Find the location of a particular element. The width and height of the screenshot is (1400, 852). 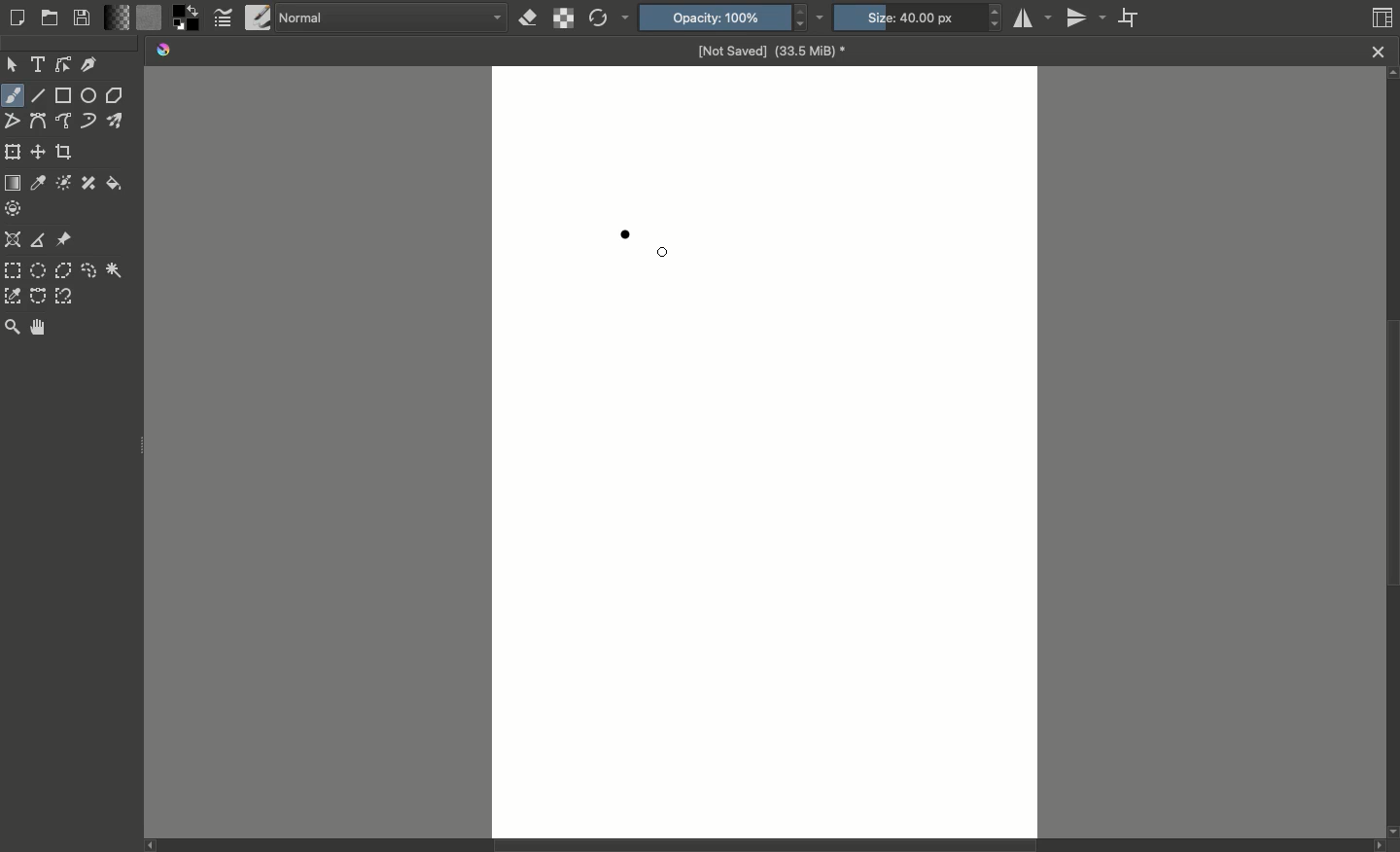

scroll right is located at coordinates (1375, 846).